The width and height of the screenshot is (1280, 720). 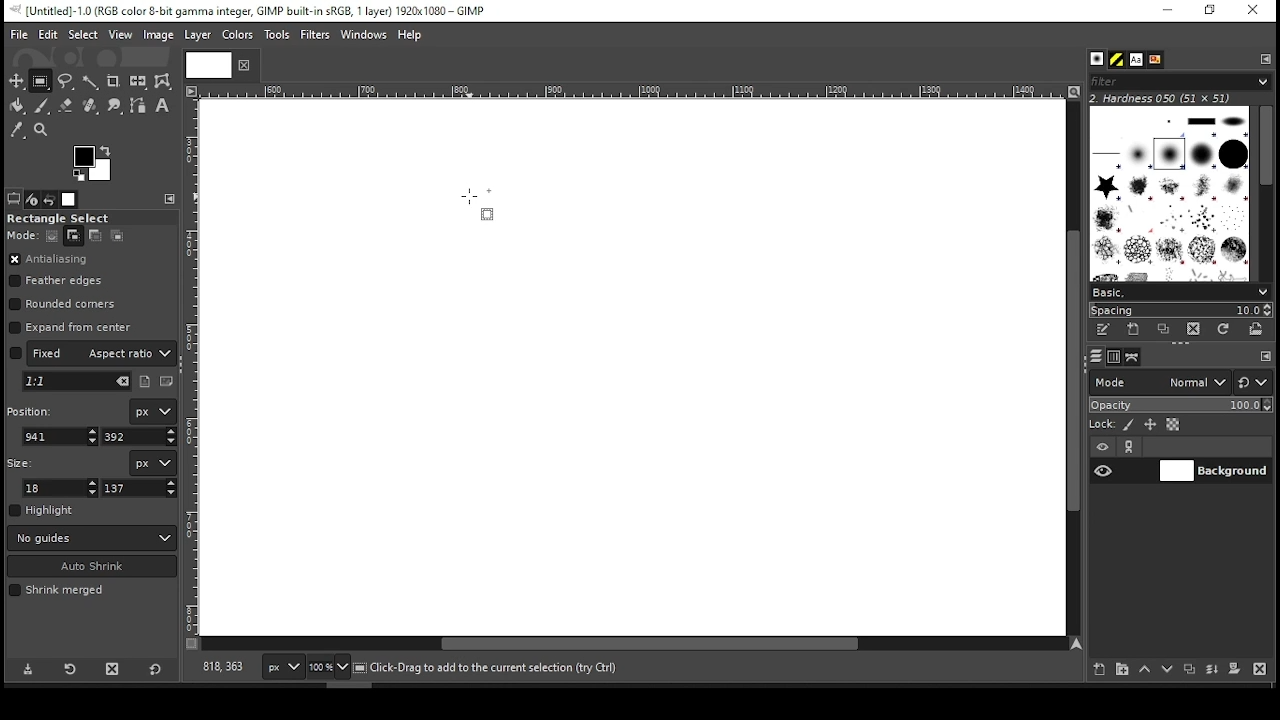 I want to click on merge layer, so click(x=1212, y=670).